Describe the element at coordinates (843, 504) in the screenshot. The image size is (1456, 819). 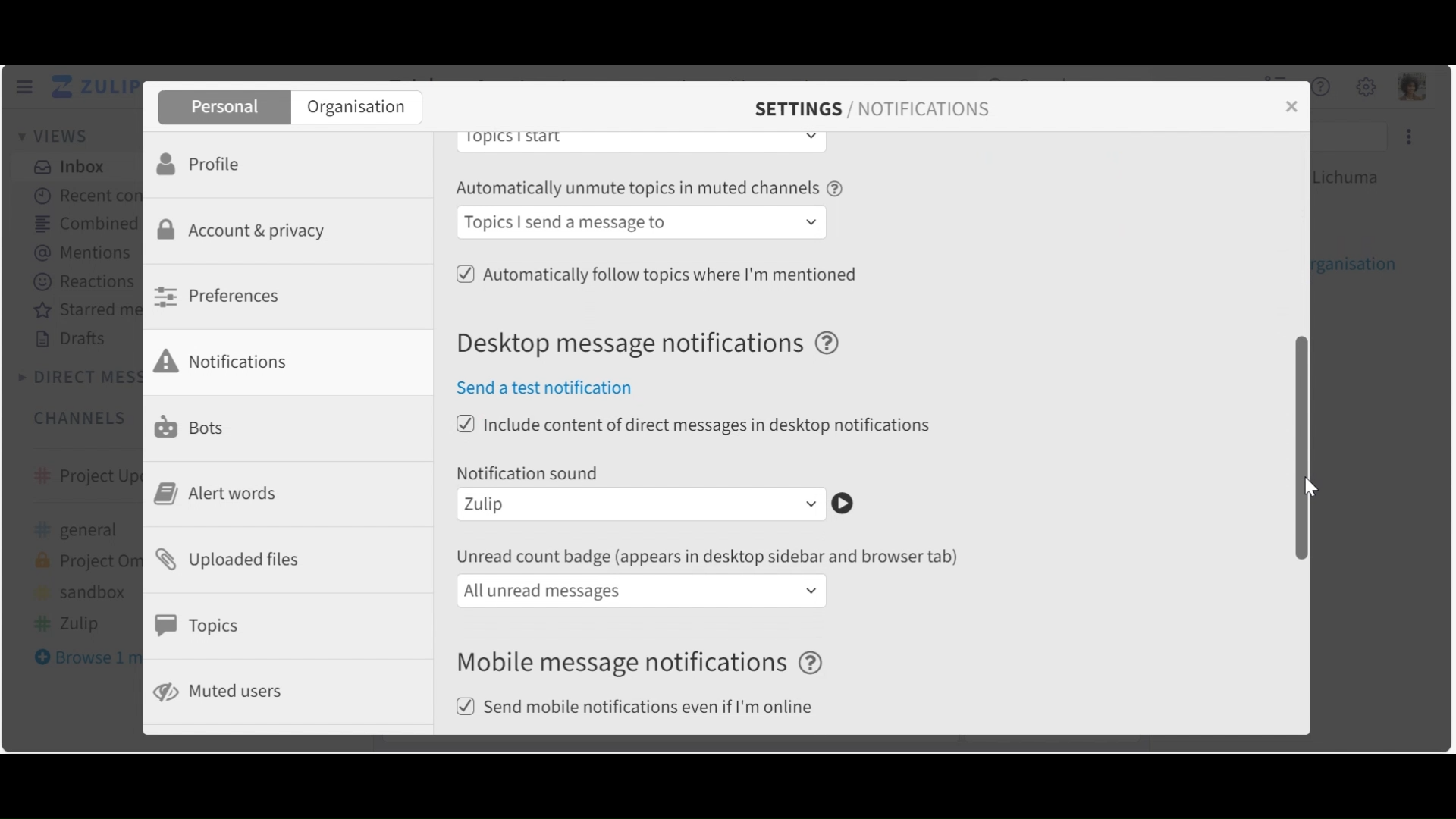
I see `Play notification sound` at that location.